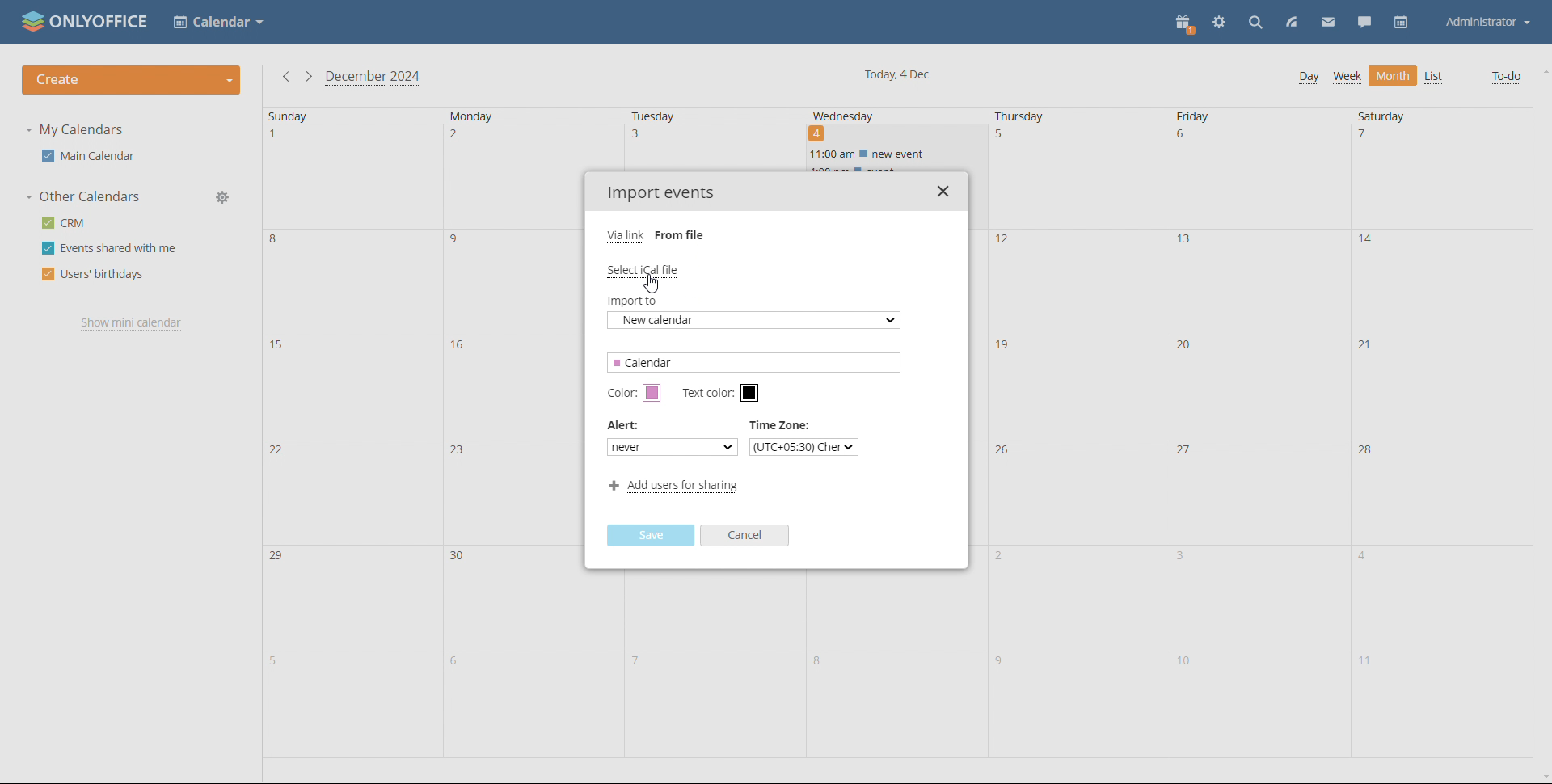 The image size is (1552, 784). What do you see at coordinates (651, 536) in the screenshot?
I see `save` at bounding box center [651, 536].